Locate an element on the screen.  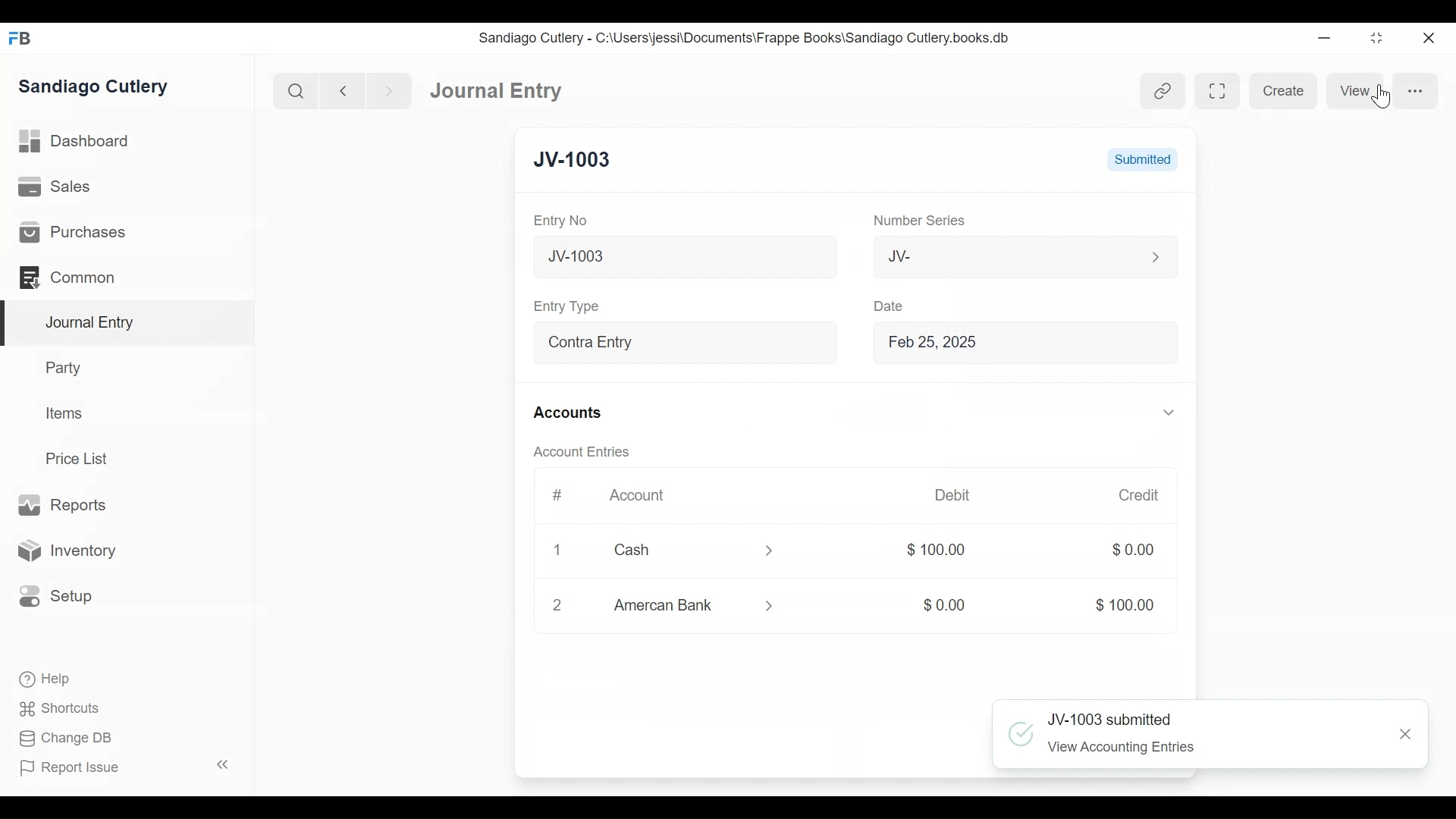
Sandiago Cutlery - C:\Users\jessi\Documents\Frappe Books\Sandiago Cutlery.books.db is located at coordinates (747, 39).